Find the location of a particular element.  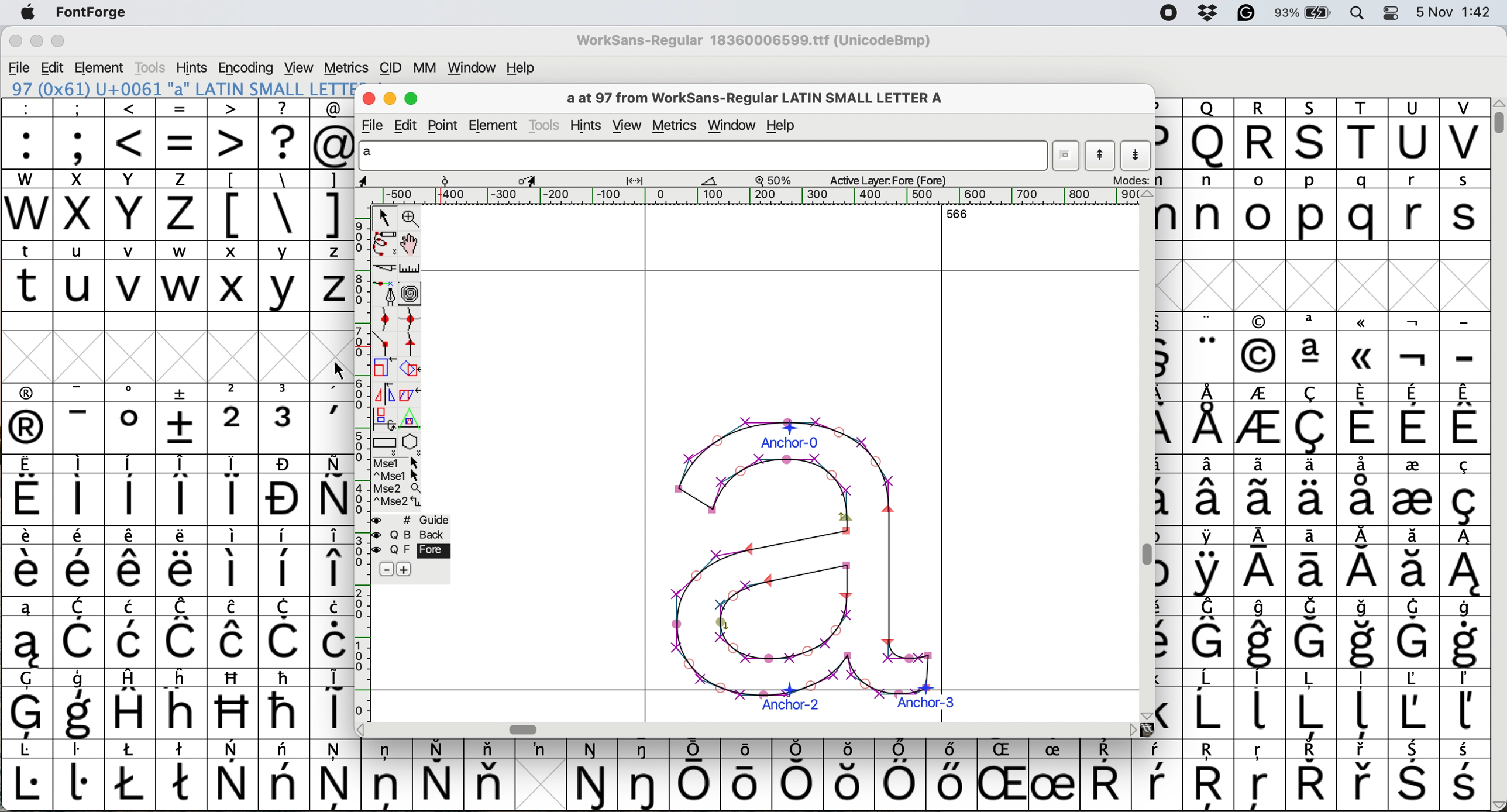

symbol is located at coordinates (1310, 703).